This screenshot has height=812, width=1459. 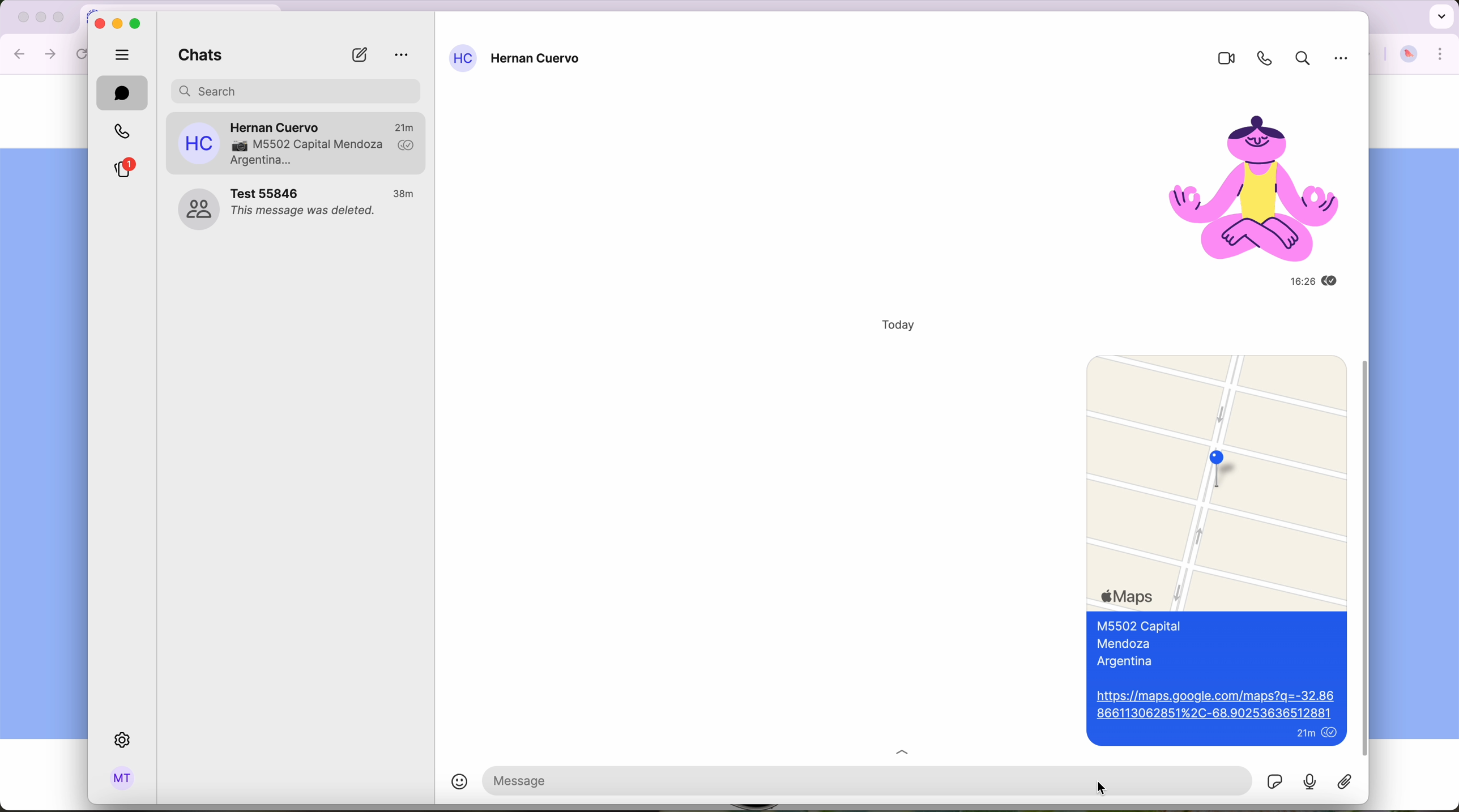 What do you see at coordinates (123, 53) in the screenshot?
I see `hide tabs` at bounding box center [123, 53].